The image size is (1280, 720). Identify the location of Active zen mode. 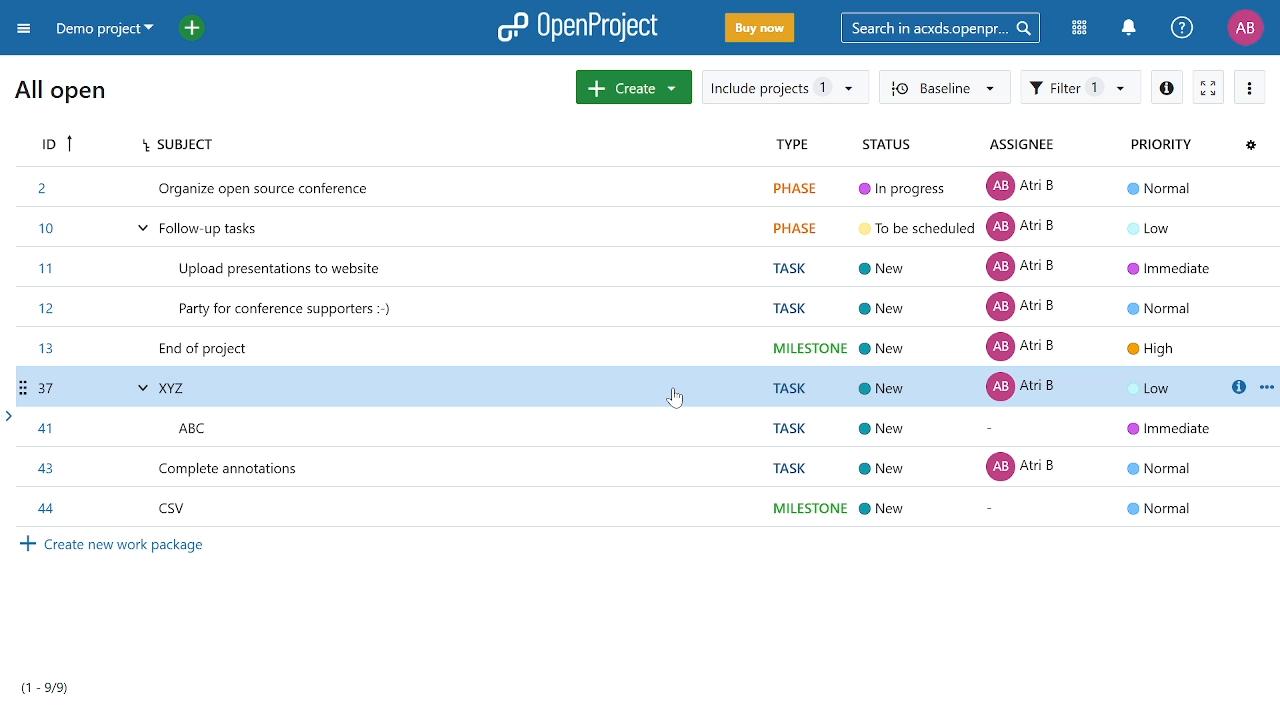
(1211, 88).